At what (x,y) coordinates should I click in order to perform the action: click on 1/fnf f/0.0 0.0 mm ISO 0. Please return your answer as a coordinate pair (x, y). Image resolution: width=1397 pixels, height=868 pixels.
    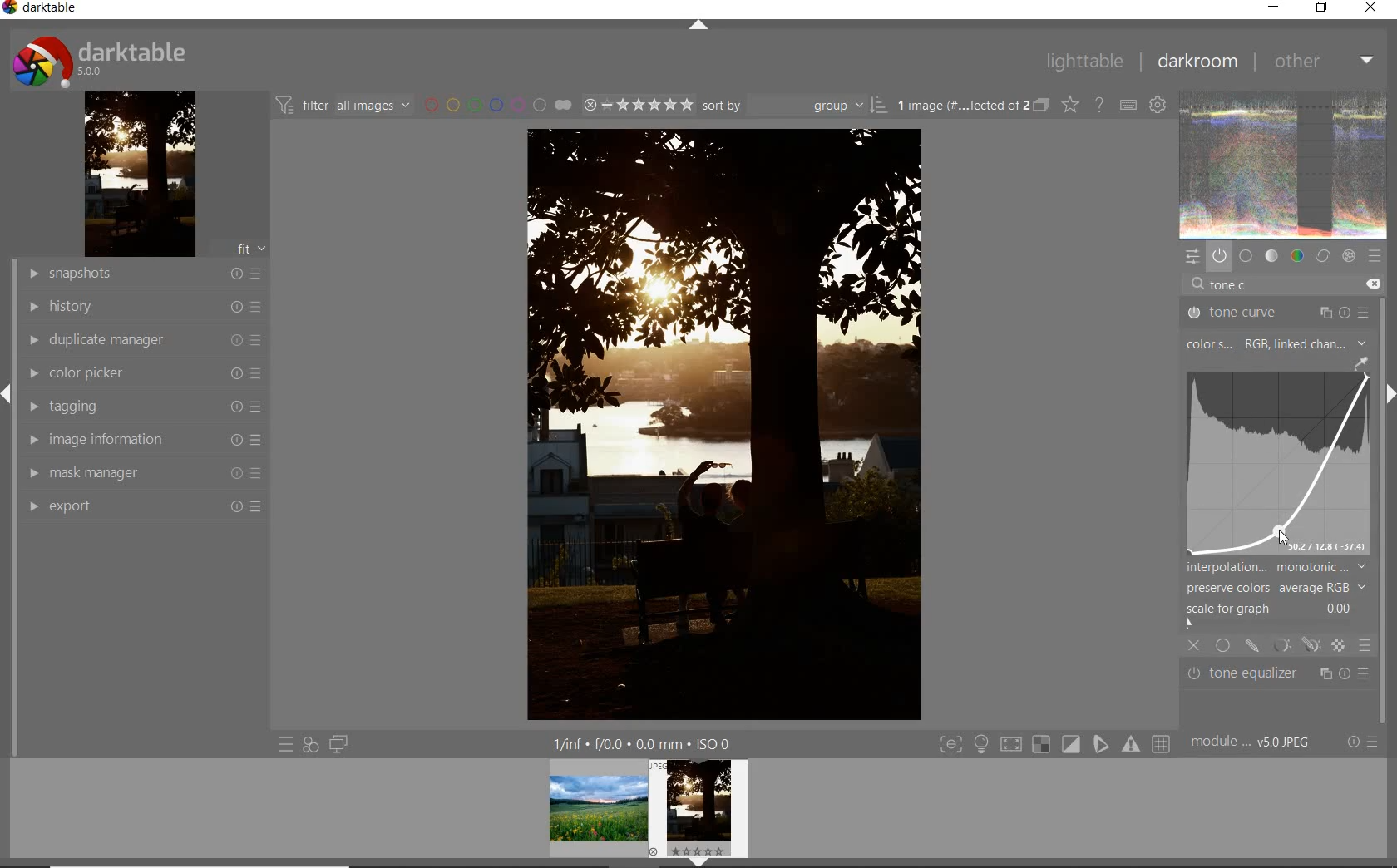
    Looking at the image, I should click on (645, 742).